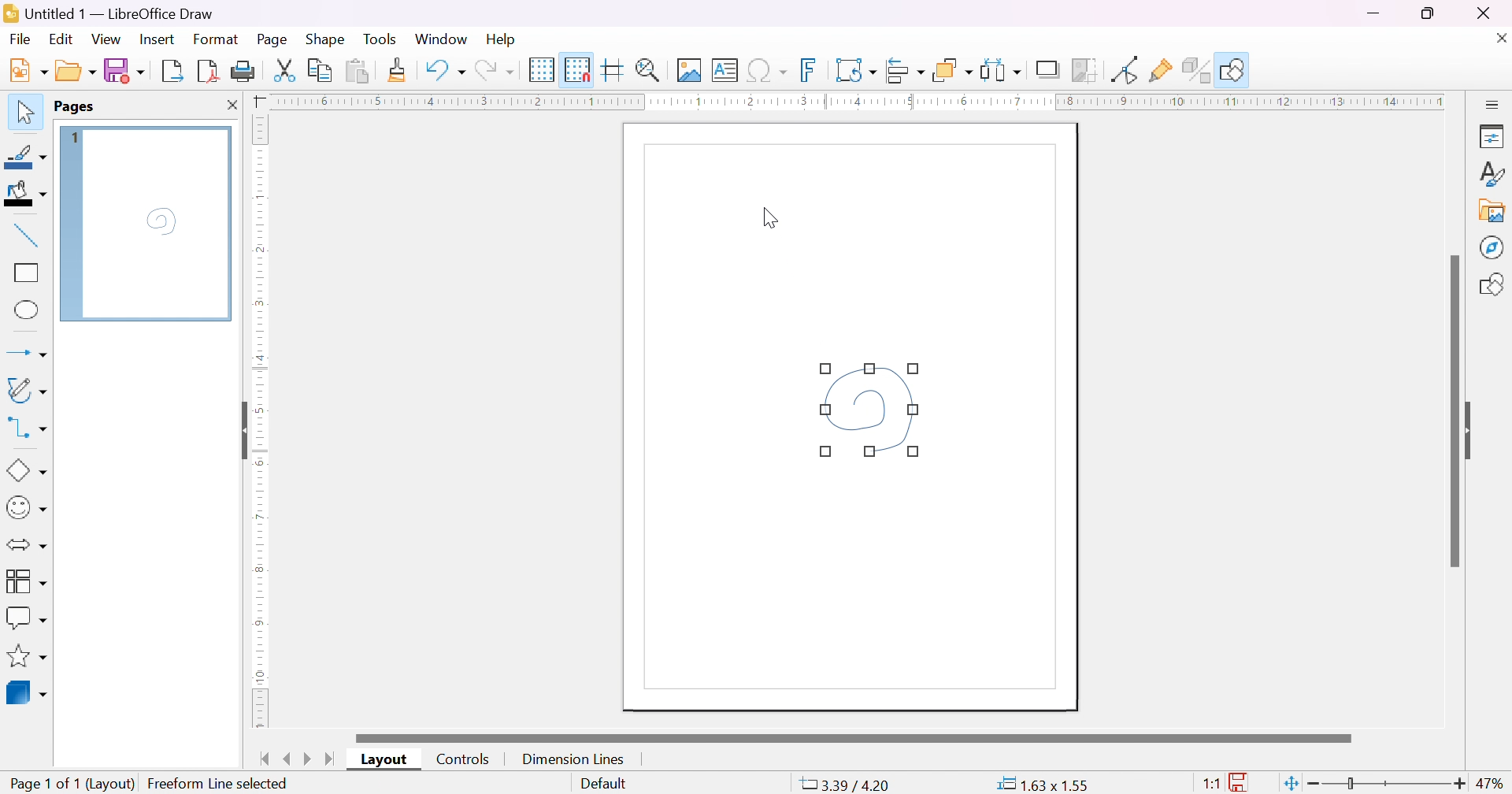 This screenshot has height=794, width=1512. I want to click on dimension lines, so click(572, 759).